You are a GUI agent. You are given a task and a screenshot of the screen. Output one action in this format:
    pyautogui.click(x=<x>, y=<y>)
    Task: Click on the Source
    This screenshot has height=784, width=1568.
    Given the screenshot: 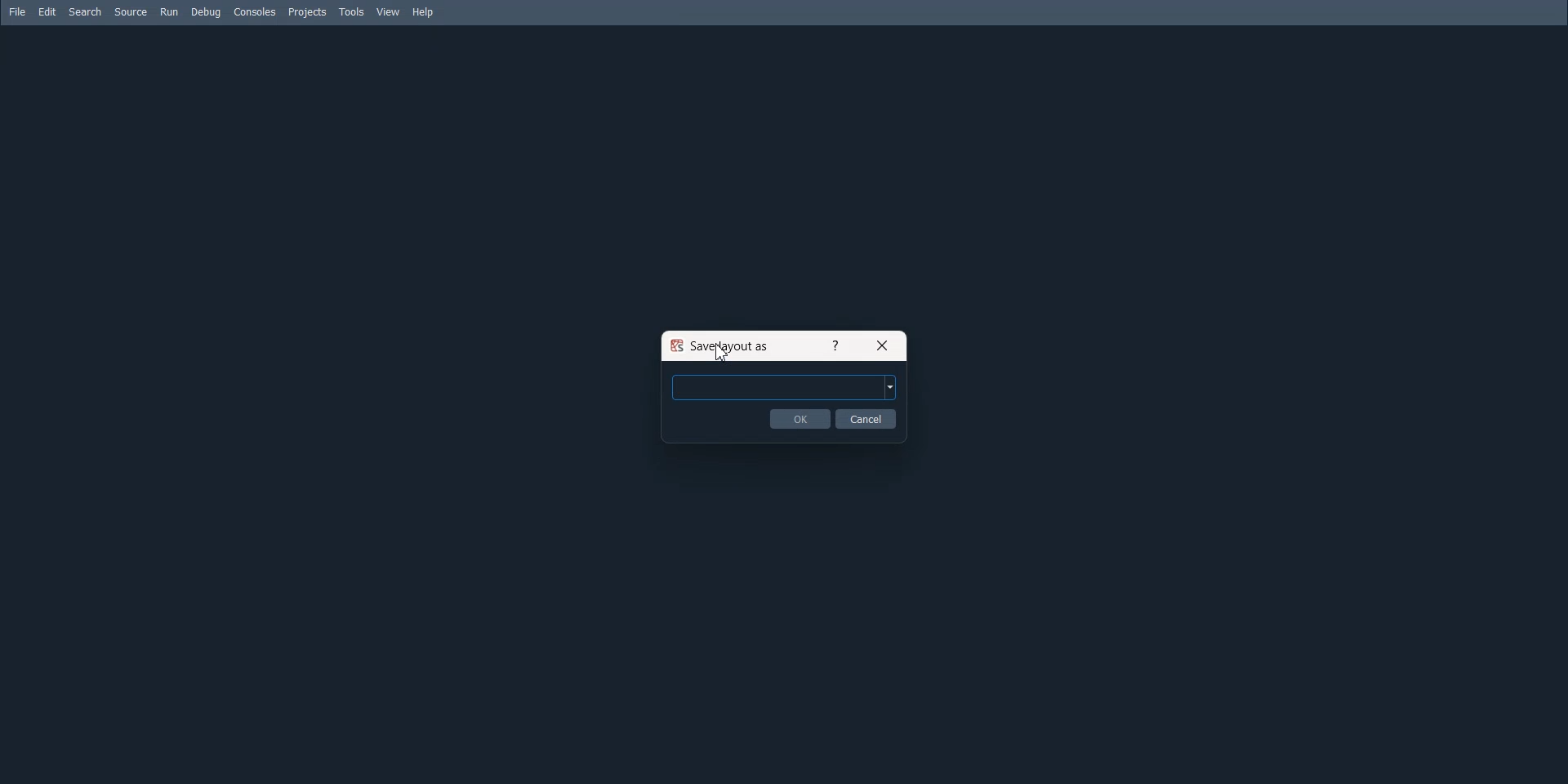 What is the action you would take?
    pyautogui.click(x=131, y=11)
    